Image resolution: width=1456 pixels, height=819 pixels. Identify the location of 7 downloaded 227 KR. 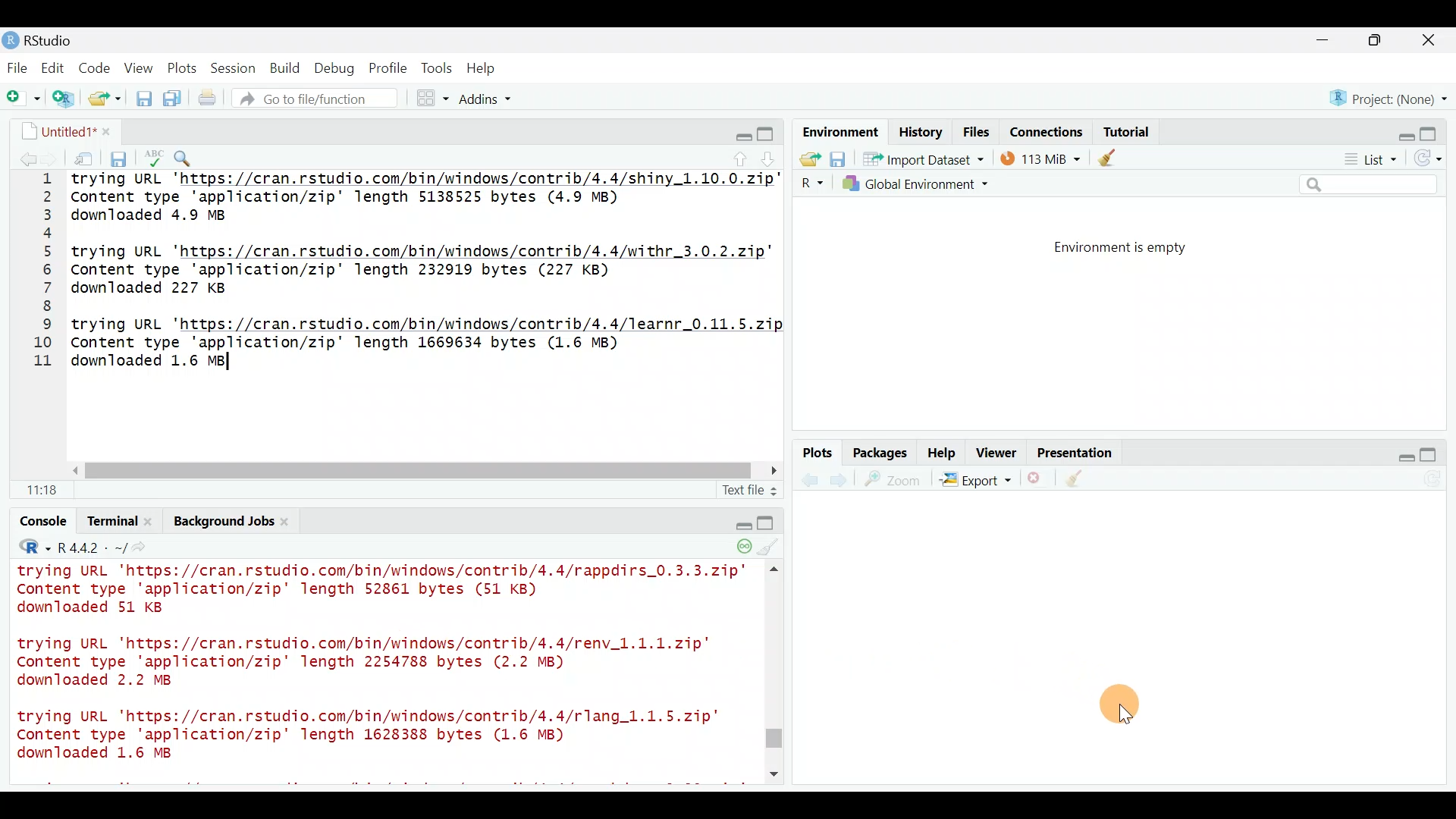
(147, 287).